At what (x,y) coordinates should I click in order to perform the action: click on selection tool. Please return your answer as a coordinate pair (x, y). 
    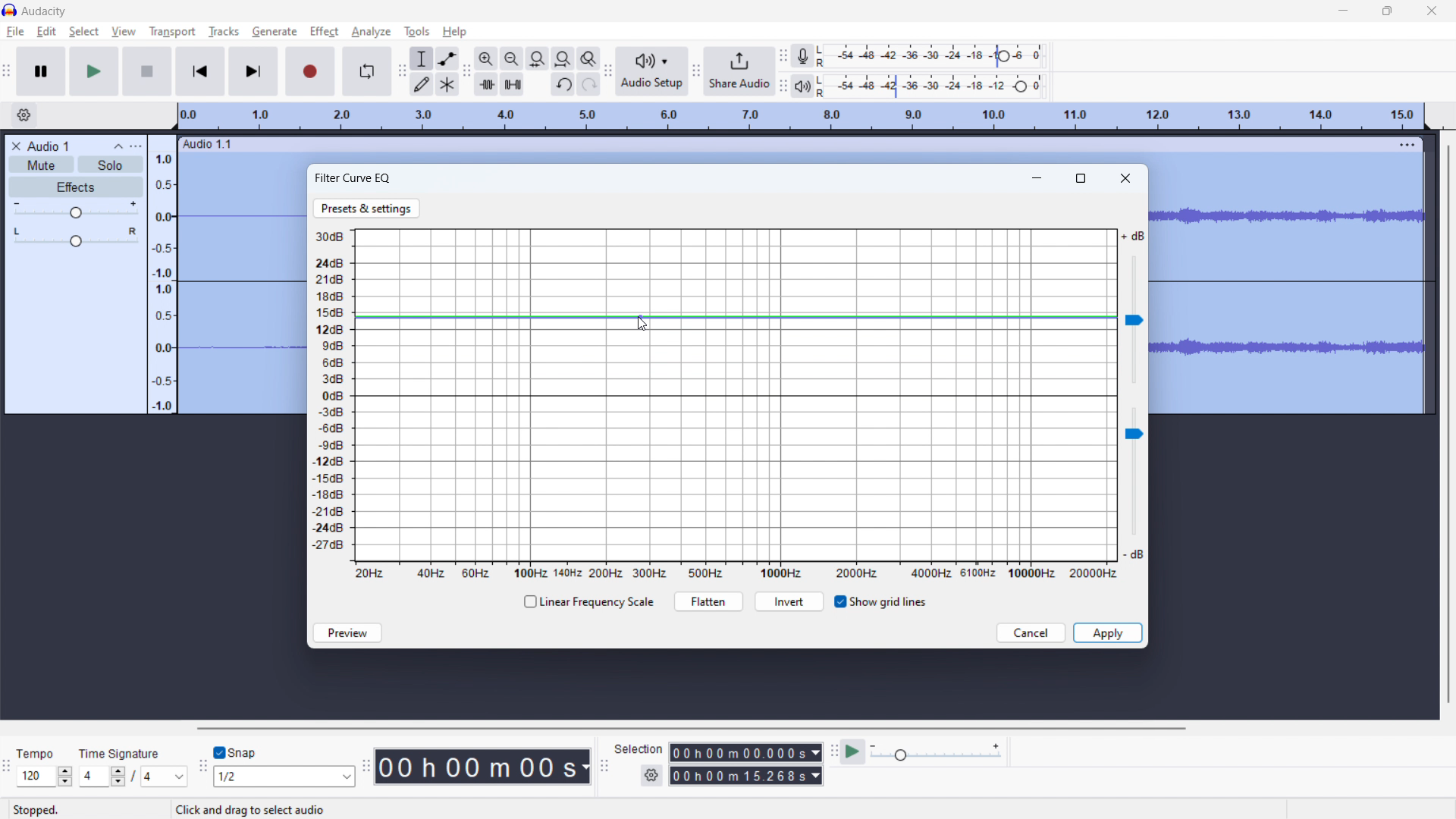
    Looking at the image, I should click on (421, 58).